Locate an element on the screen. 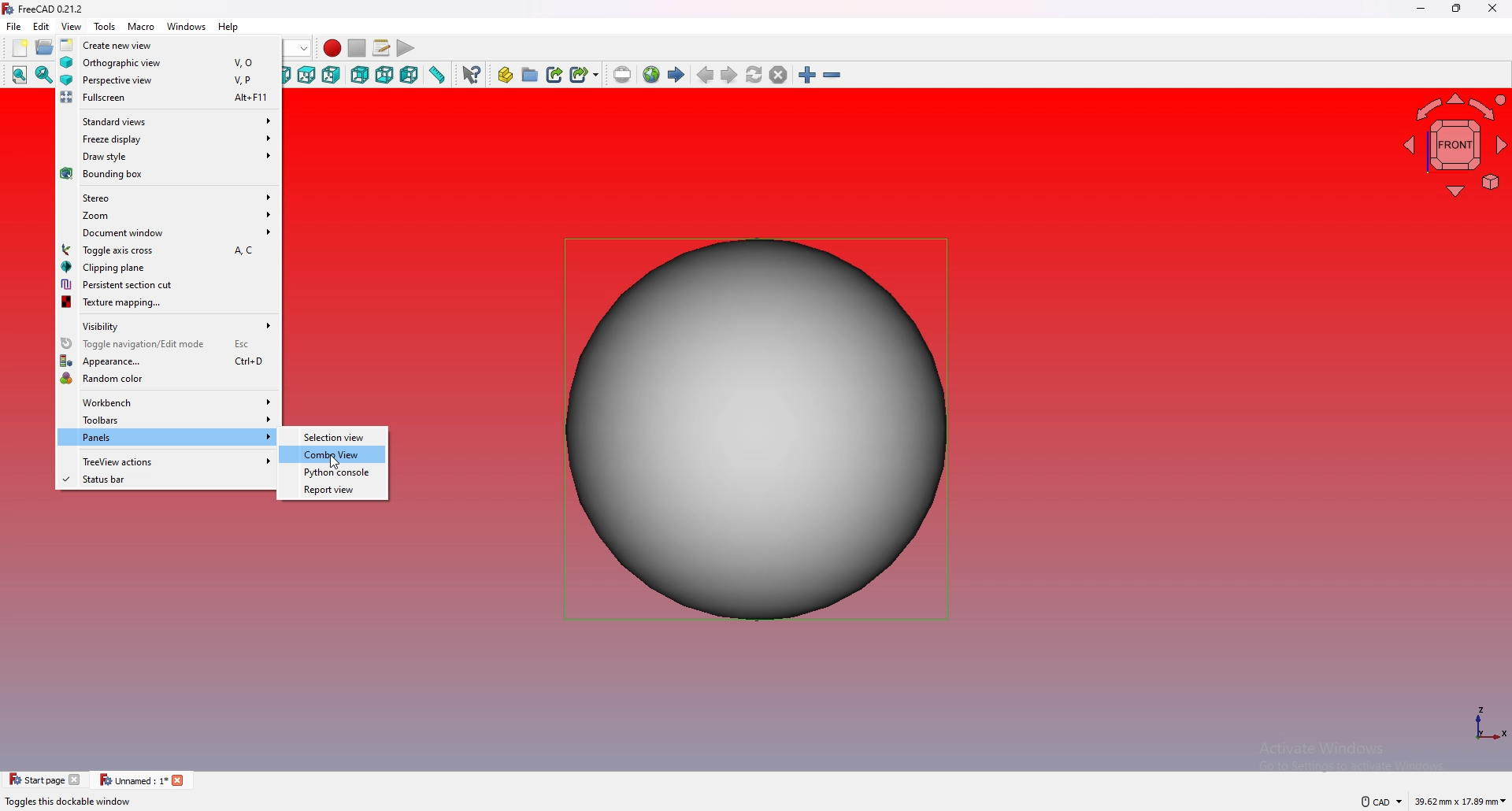 This screenshot has width=1512, height=811. description is located at coordinates (68, 802).